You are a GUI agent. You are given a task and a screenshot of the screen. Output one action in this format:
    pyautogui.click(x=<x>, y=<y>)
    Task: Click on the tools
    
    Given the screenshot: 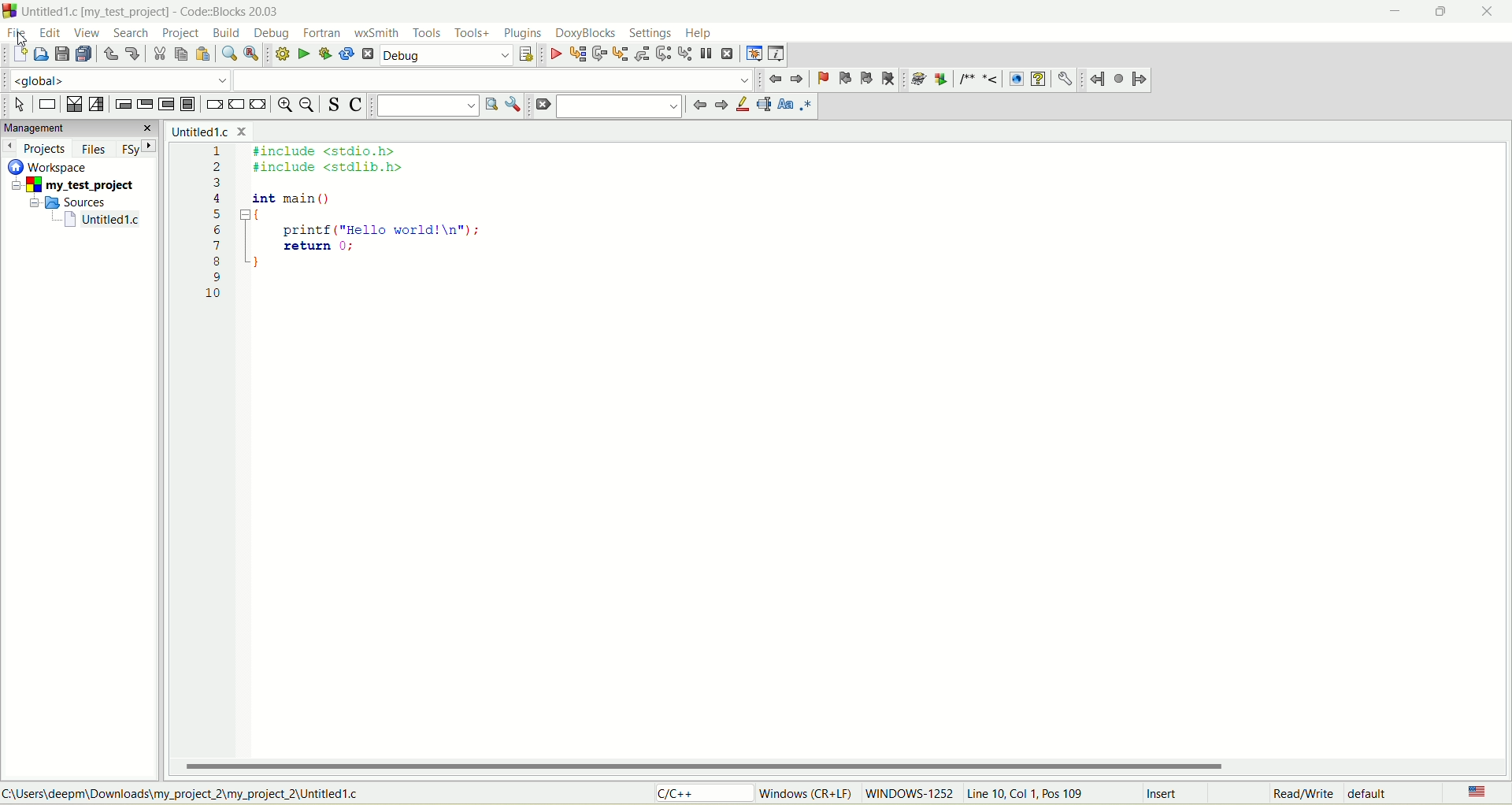 What is the action you would take?
    pyautogui.click(x=427, y=33)
    